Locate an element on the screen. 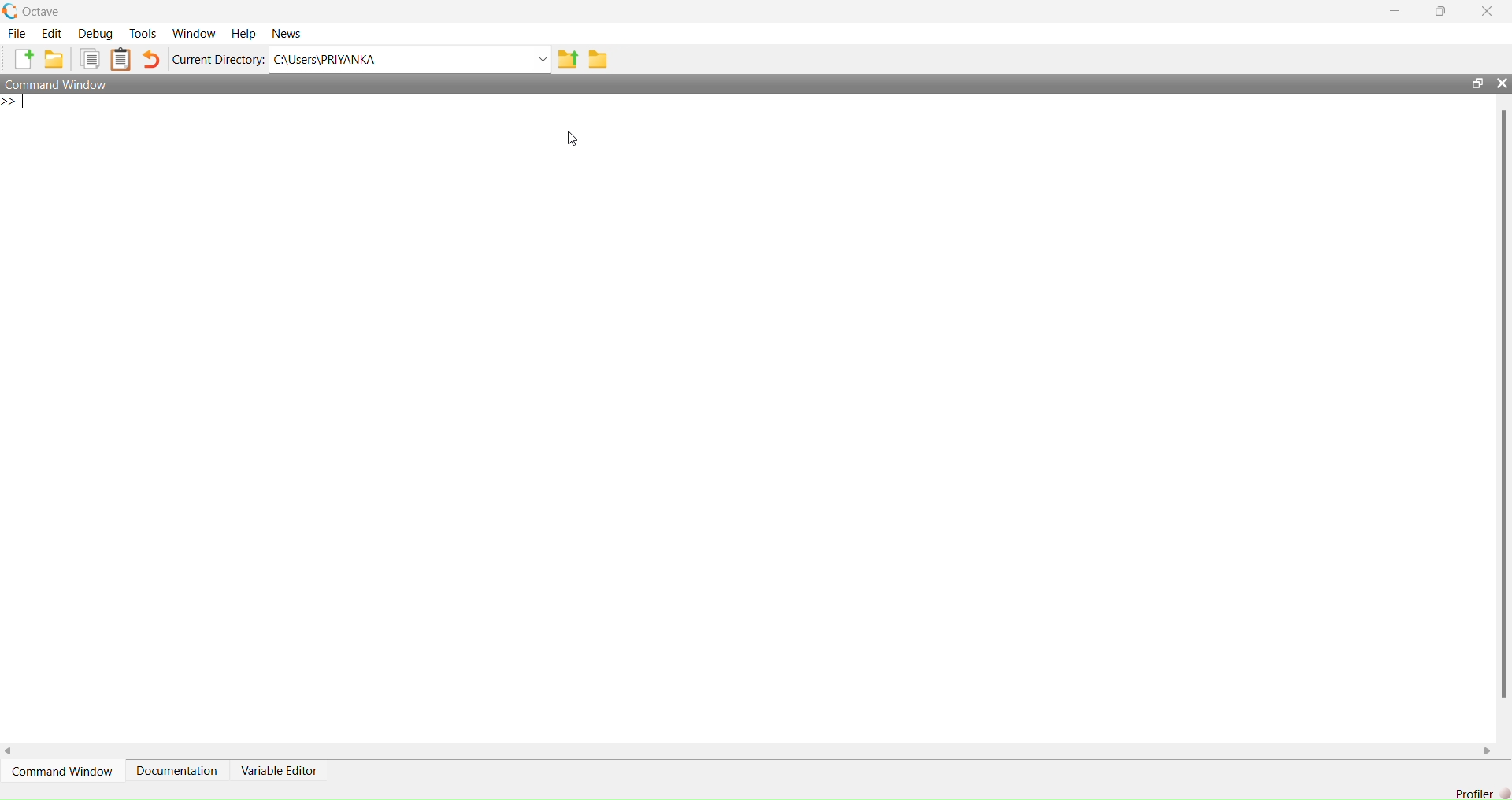 This screenshot has height=800, width=1512. share folder is located at coordinates (569, 59).